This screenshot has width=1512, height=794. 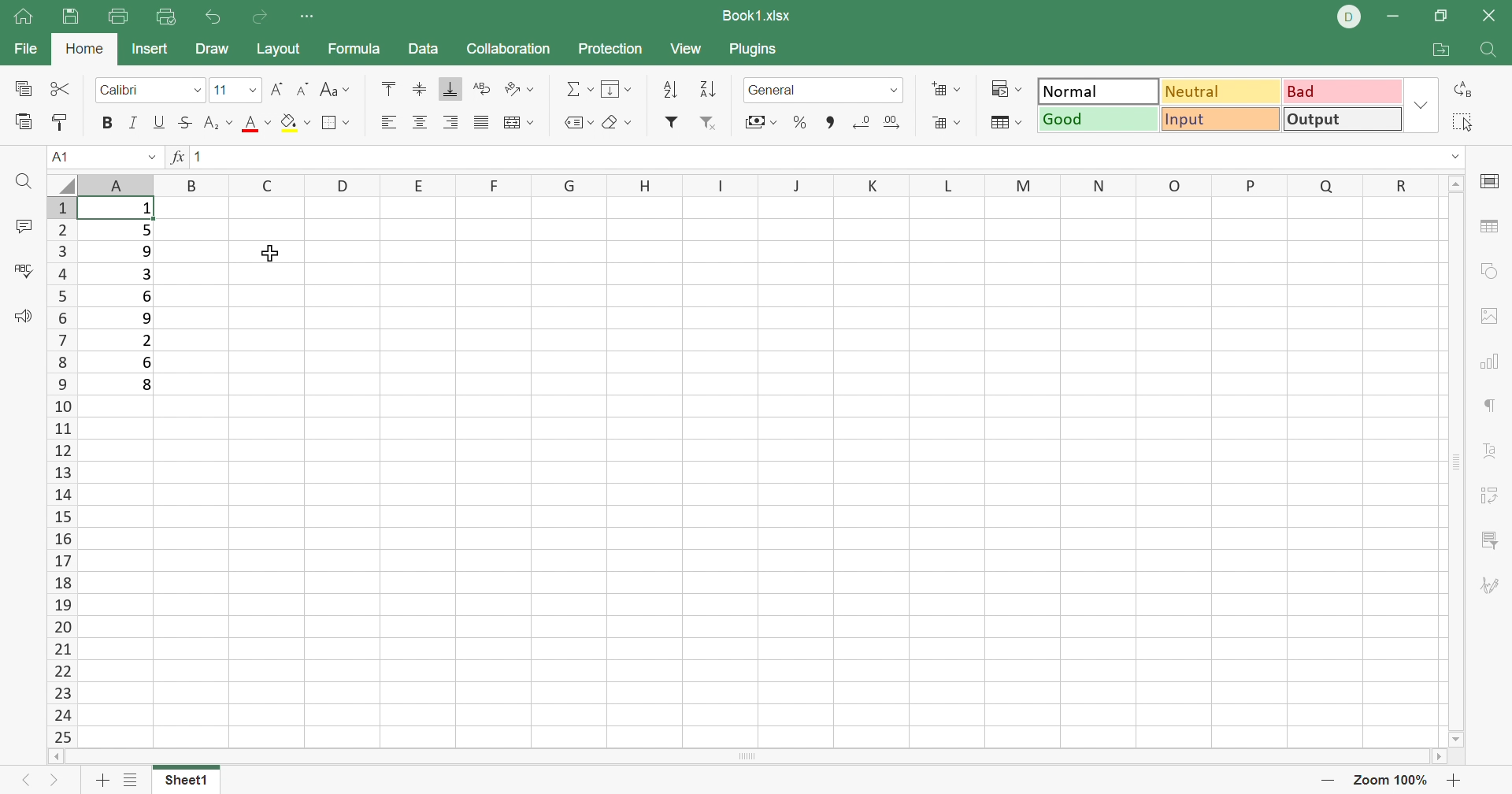 I want to click on Format as table template, so click(x=1009, y=124).